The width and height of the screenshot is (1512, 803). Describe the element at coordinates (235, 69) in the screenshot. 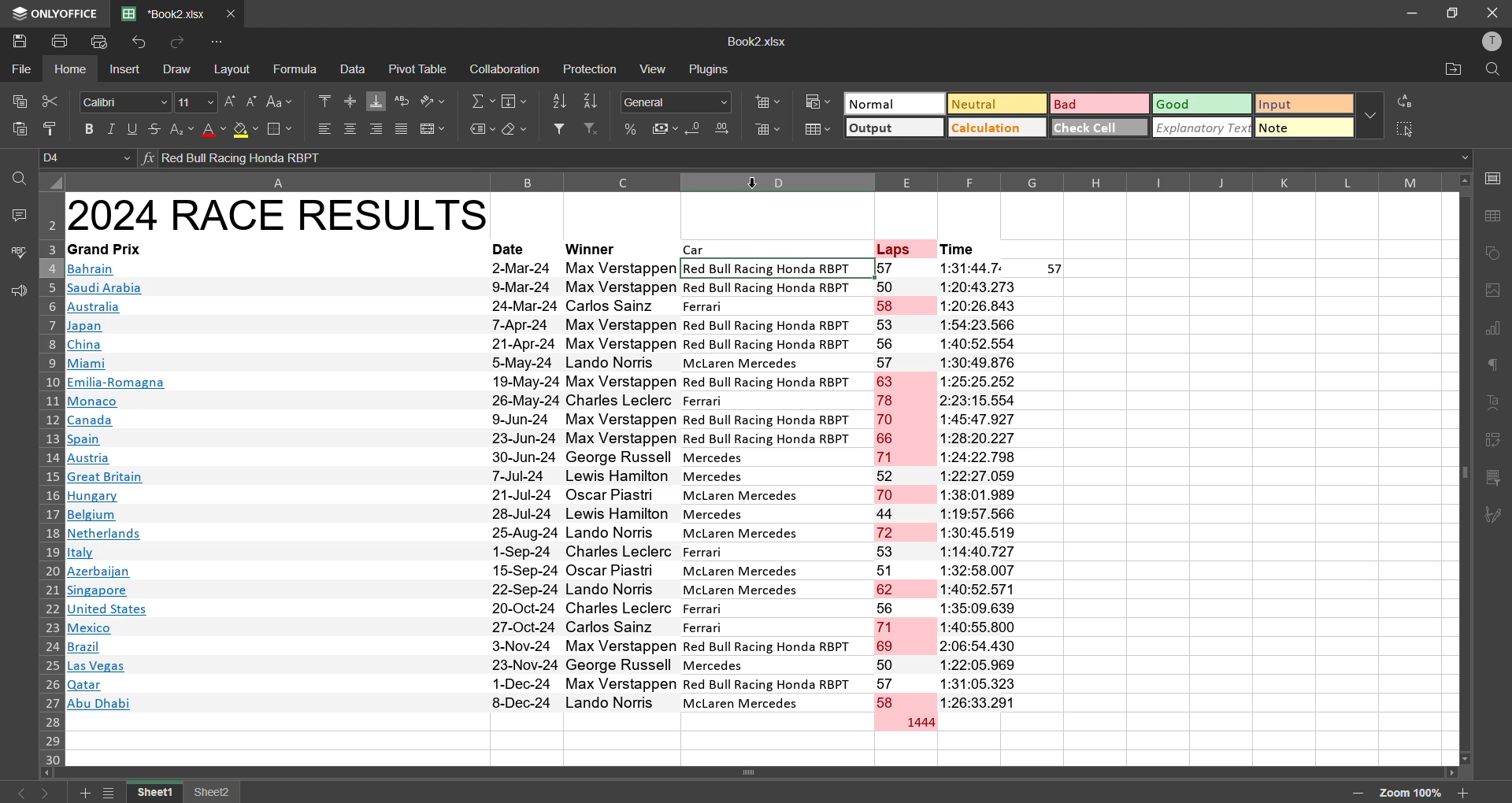

I see `layout` at that location.